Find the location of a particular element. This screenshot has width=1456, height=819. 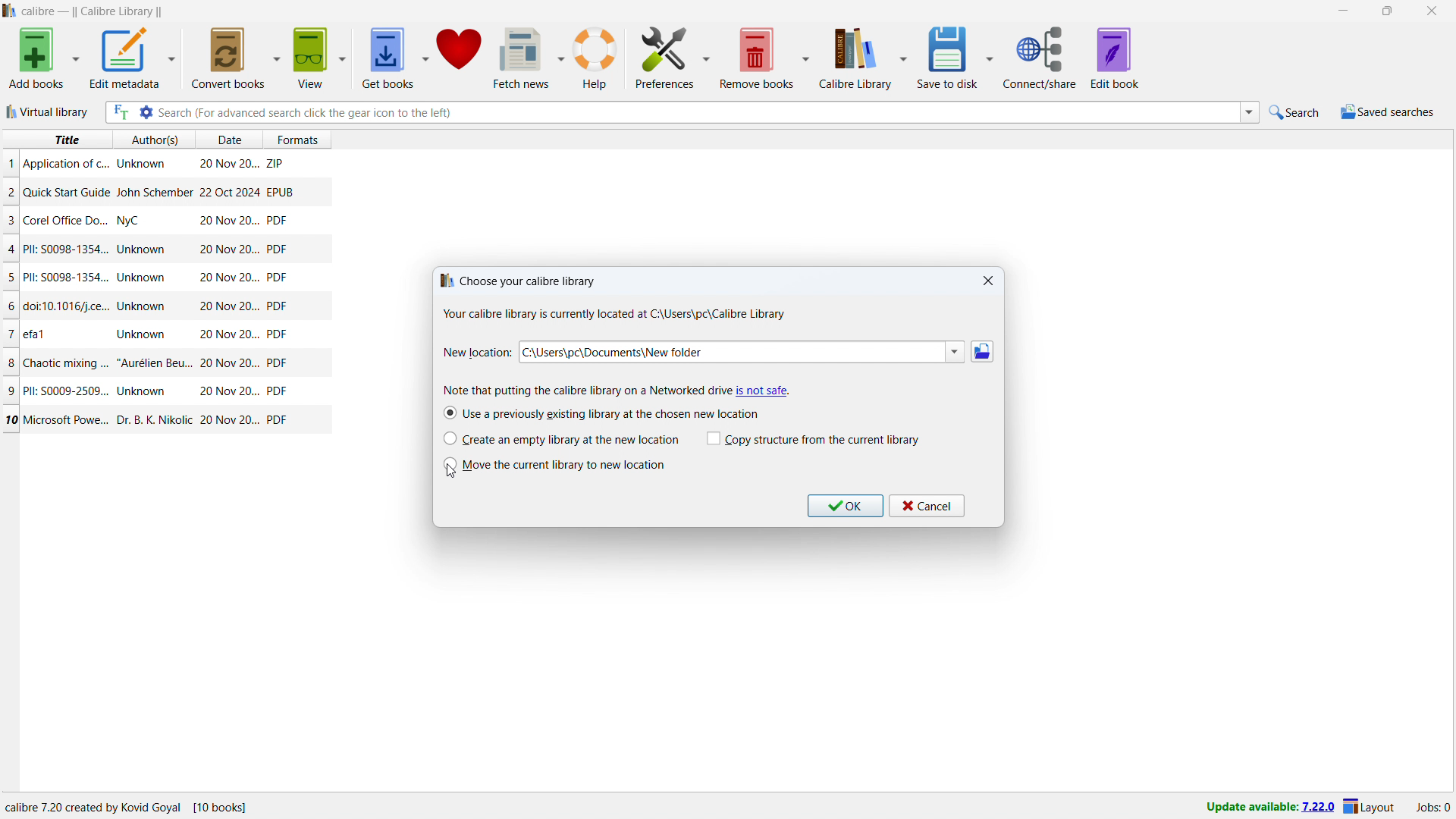

minimize is located at coordinates (1341, 11).